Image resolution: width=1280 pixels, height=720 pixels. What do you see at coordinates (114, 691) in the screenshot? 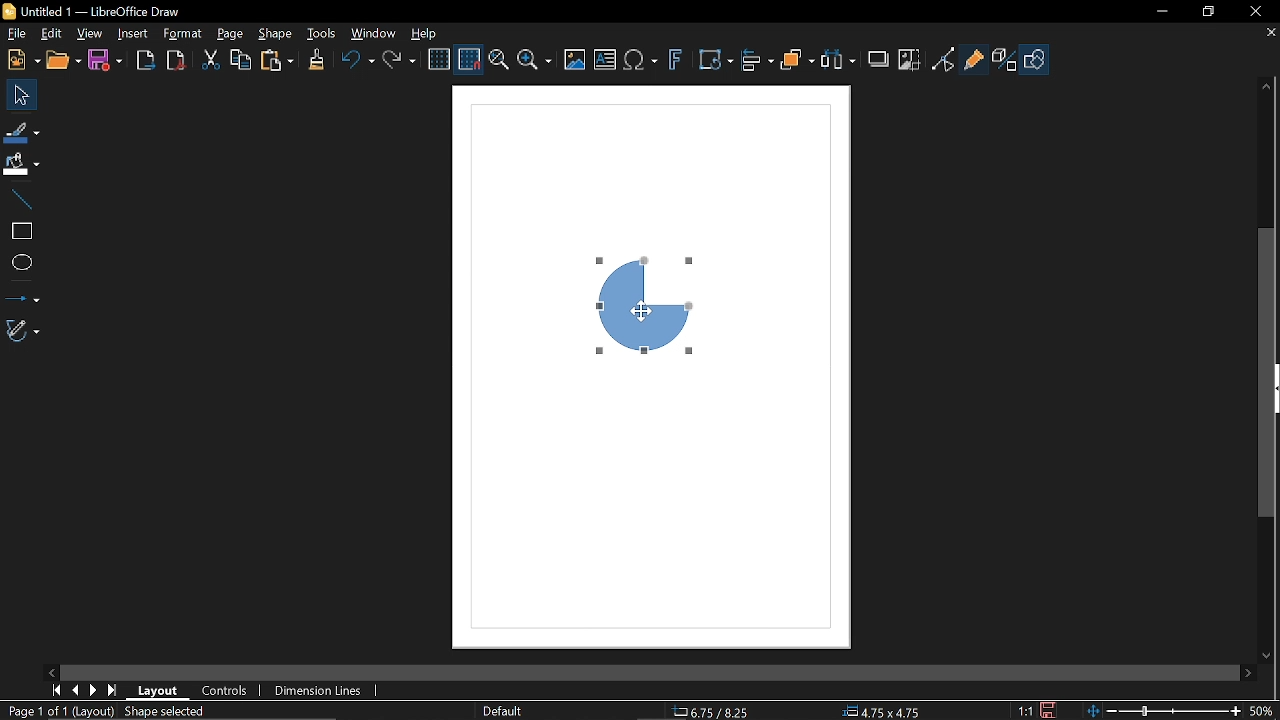
I see `last page` at bounding box center [114, 691].